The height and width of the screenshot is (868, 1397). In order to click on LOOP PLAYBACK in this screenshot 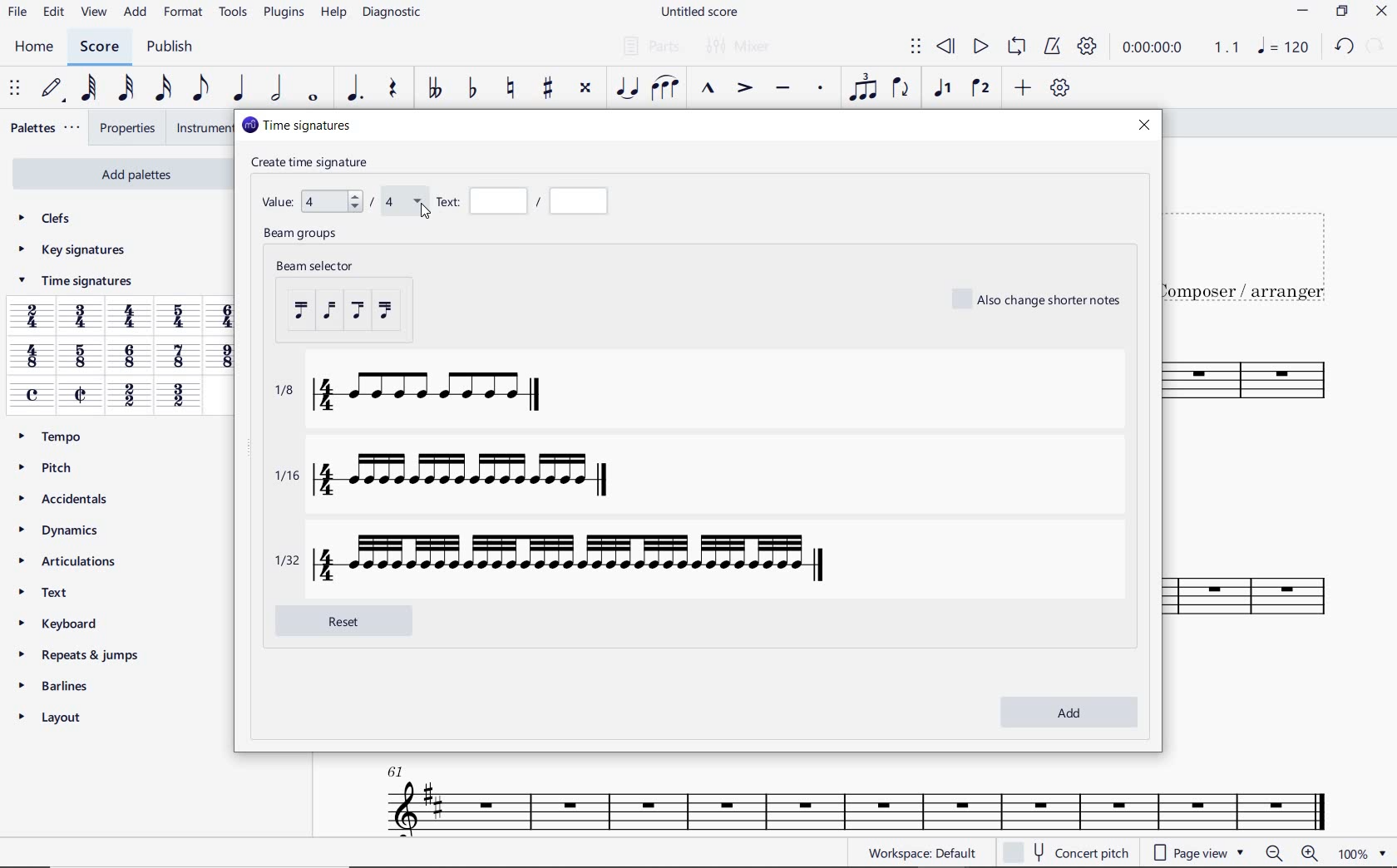, I will do `click(1015, 47)`.